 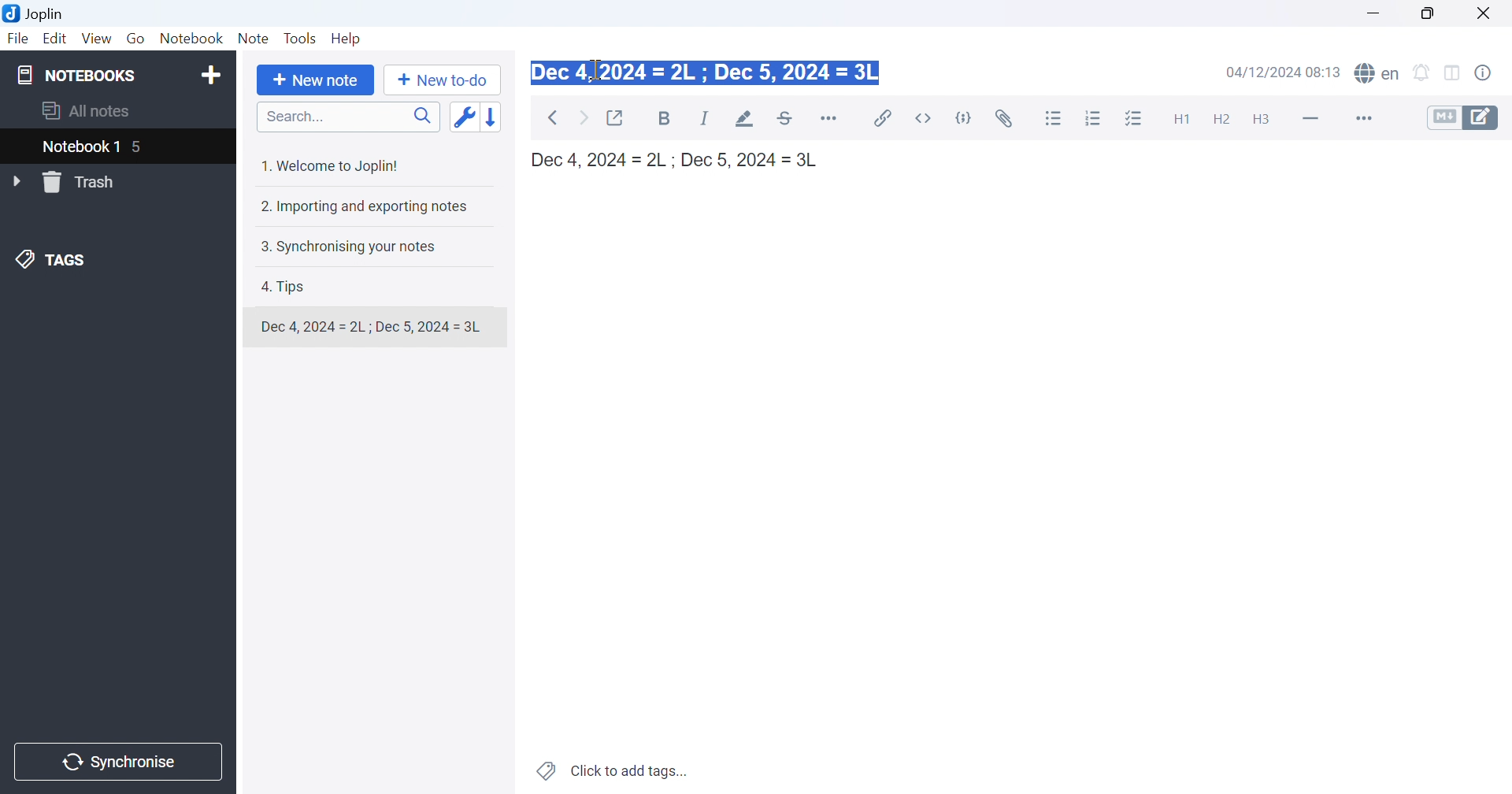 What do you see at coordinates (925, 118) in the screenshot?
I see `Inline code` at bounding box center [925, 118].